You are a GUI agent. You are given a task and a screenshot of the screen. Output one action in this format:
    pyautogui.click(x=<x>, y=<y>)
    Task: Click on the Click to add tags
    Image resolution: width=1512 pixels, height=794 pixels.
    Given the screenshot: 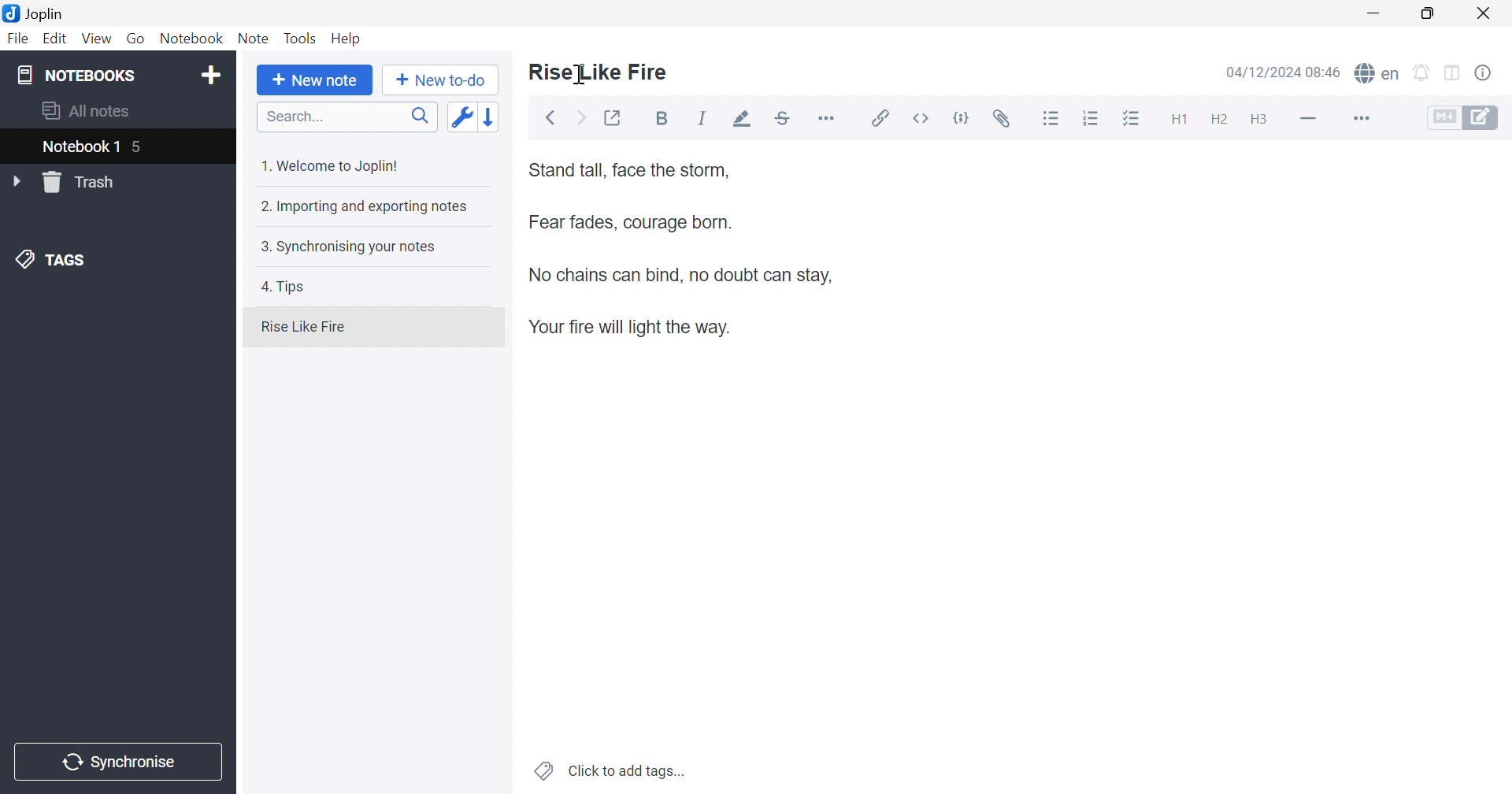 What is the action you would take?
    pyautogui.click(x=606, y=770)
    